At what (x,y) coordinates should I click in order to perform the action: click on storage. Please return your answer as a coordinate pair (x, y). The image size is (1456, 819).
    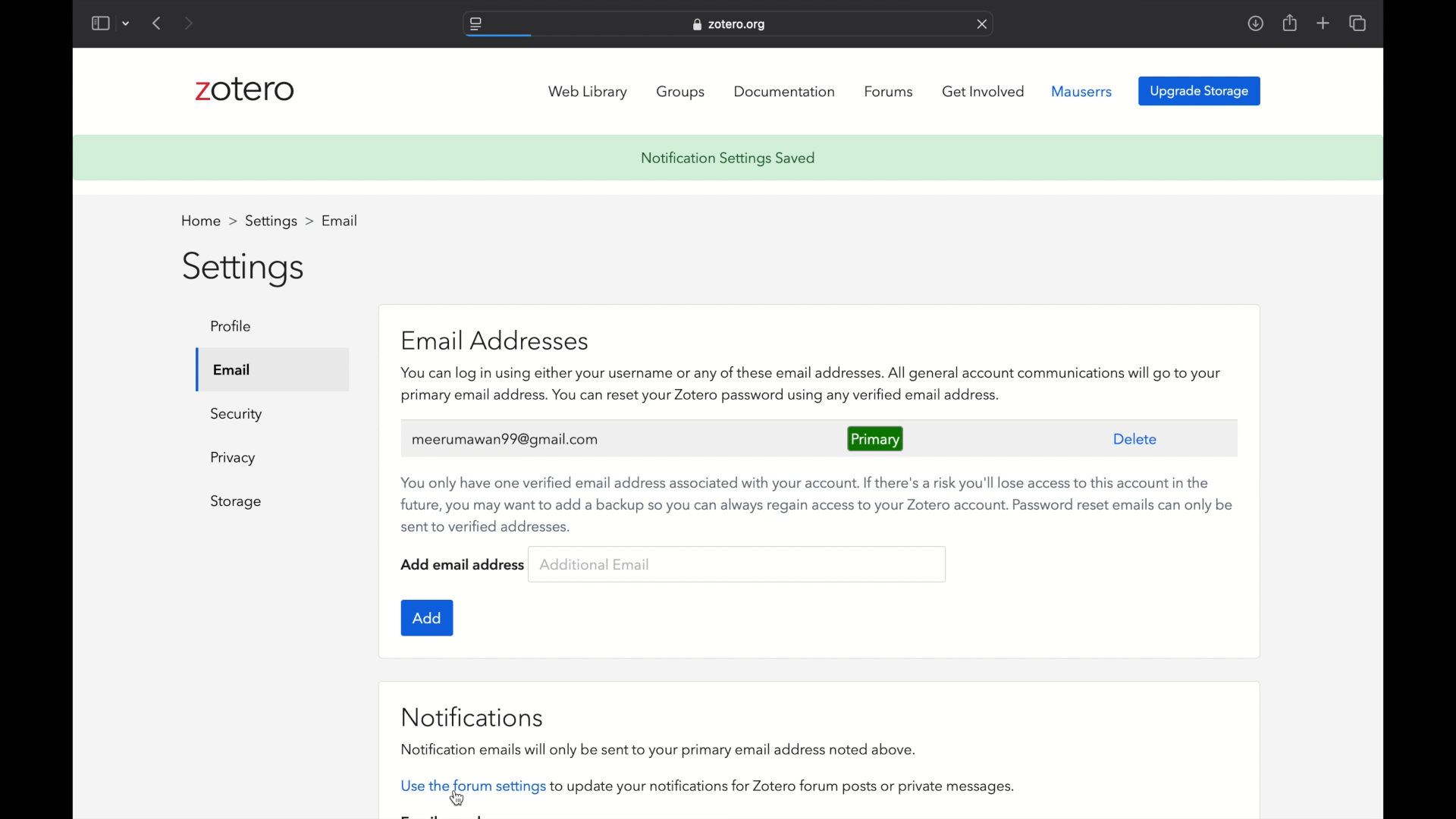
    Looking at the image, I should click on (235, 504).